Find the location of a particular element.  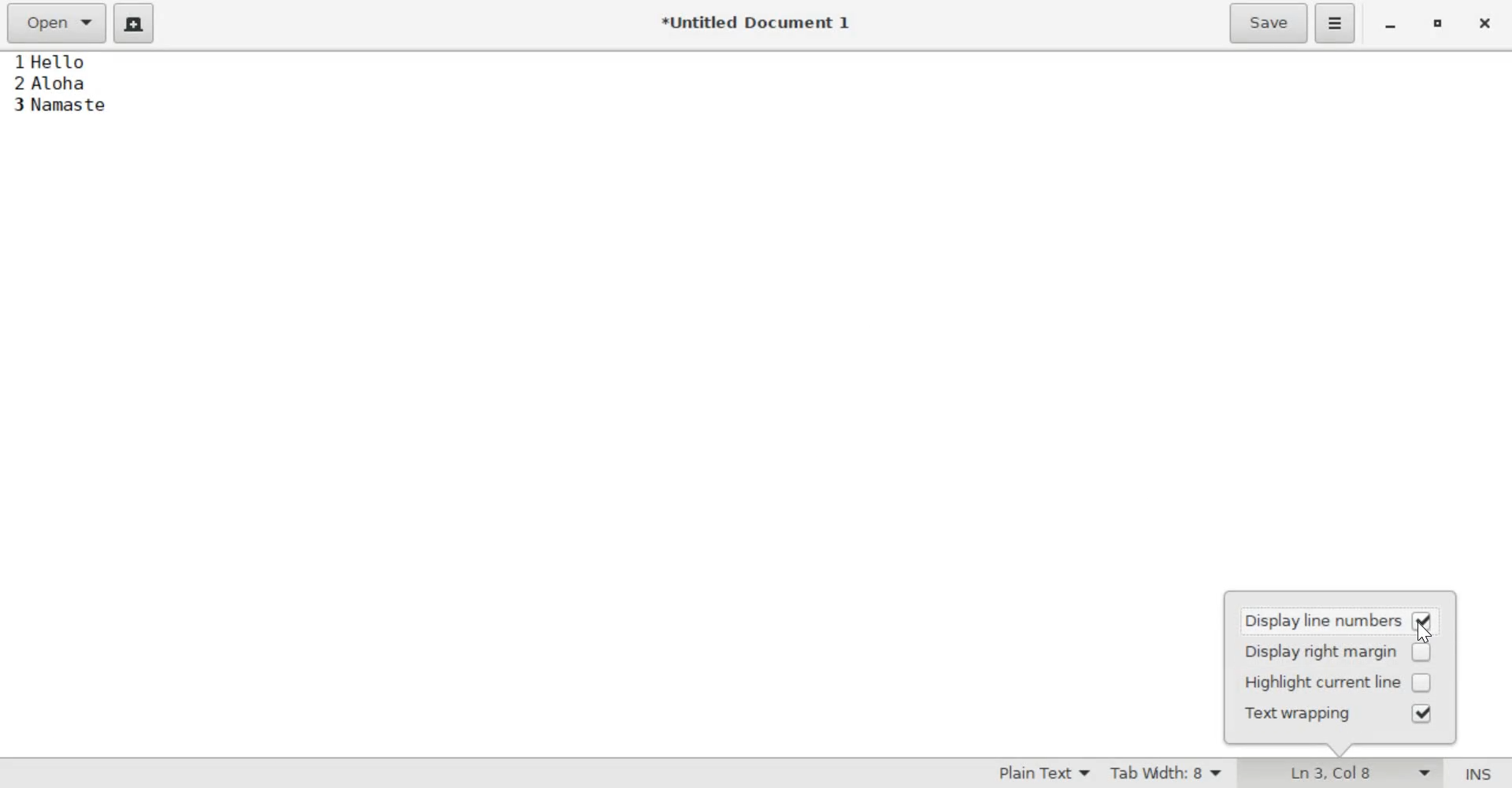

highlight current line is located at coordinates (1342, 682).